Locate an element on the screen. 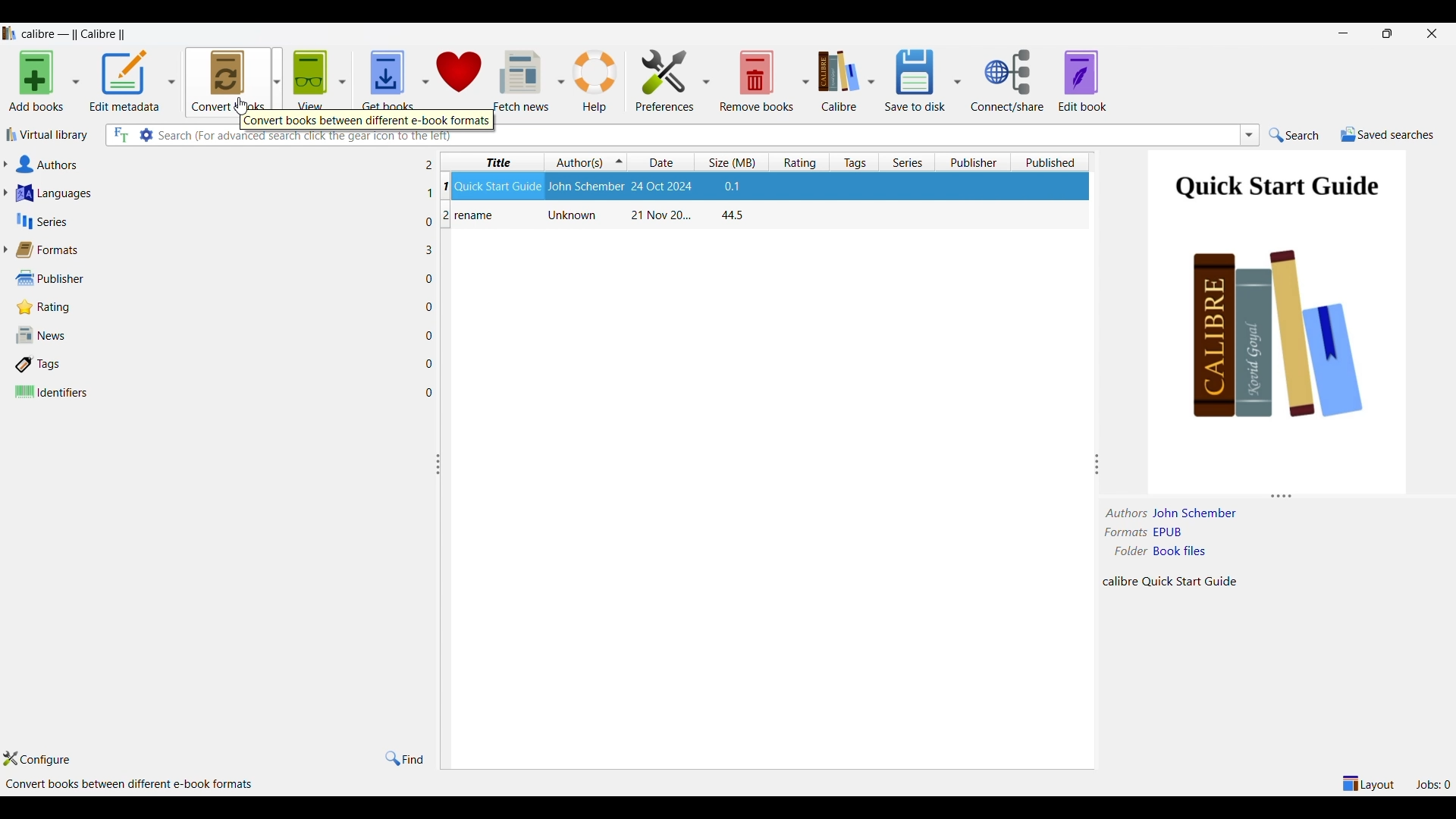 The height and width of the screenshot is (819, 1456). Close interface is located at coordinates (1432, 33).